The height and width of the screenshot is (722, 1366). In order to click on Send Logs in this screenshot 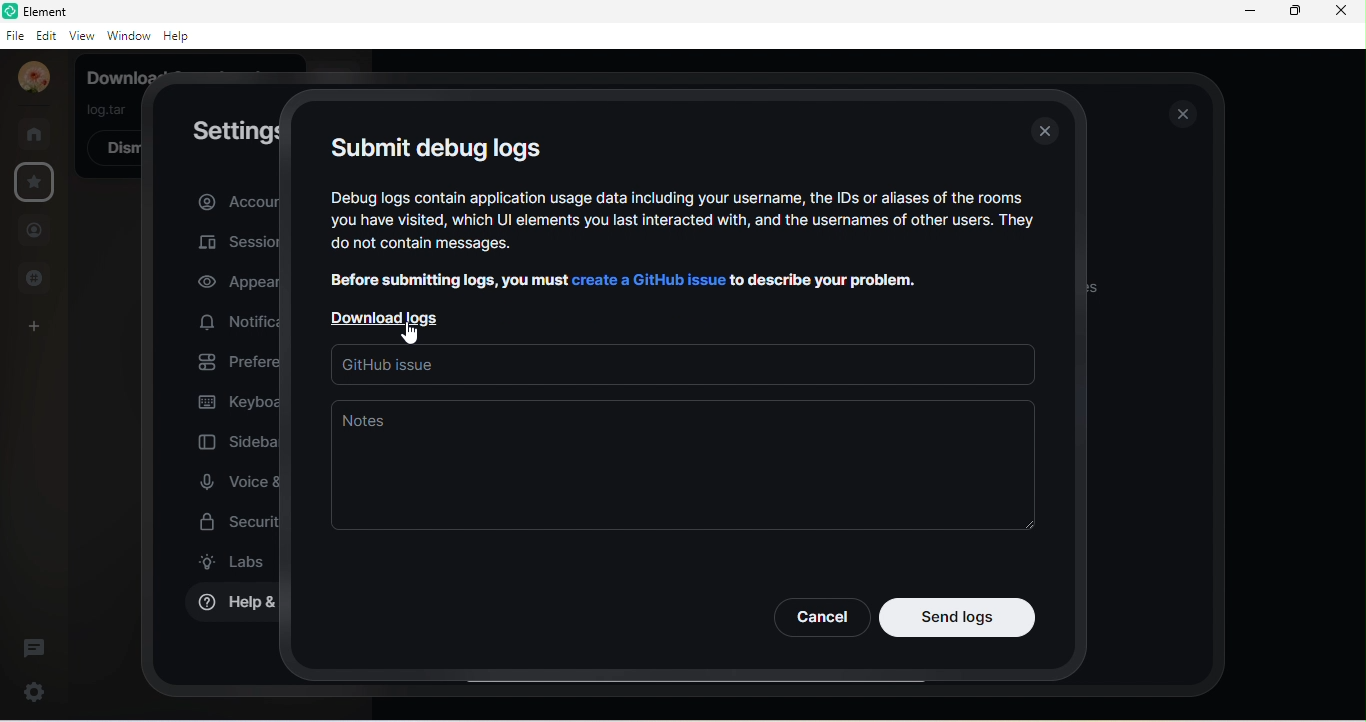, I will do `click(958, 617)`.